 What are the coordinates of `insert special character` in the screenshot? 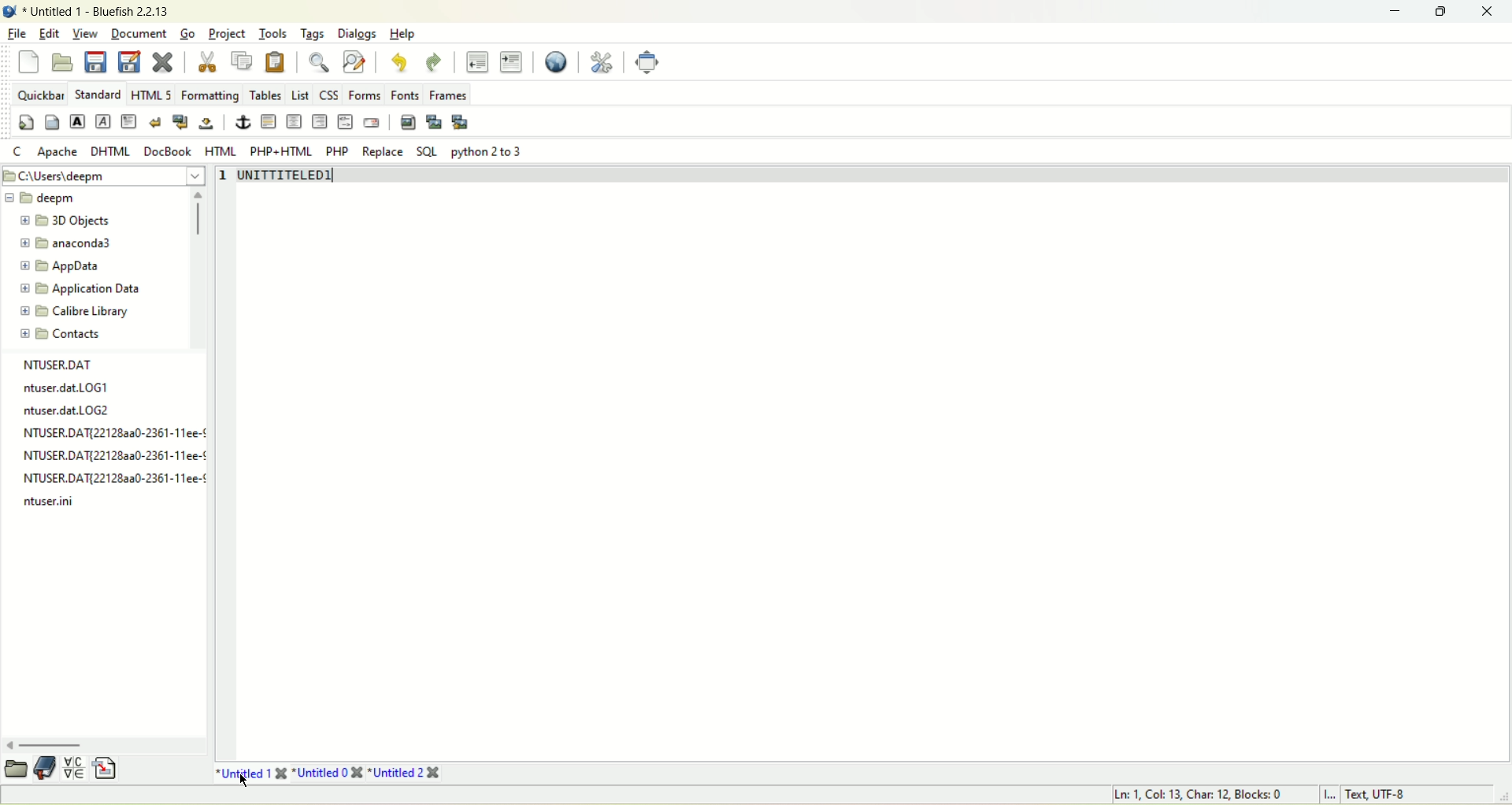 It's located at (72, 769).